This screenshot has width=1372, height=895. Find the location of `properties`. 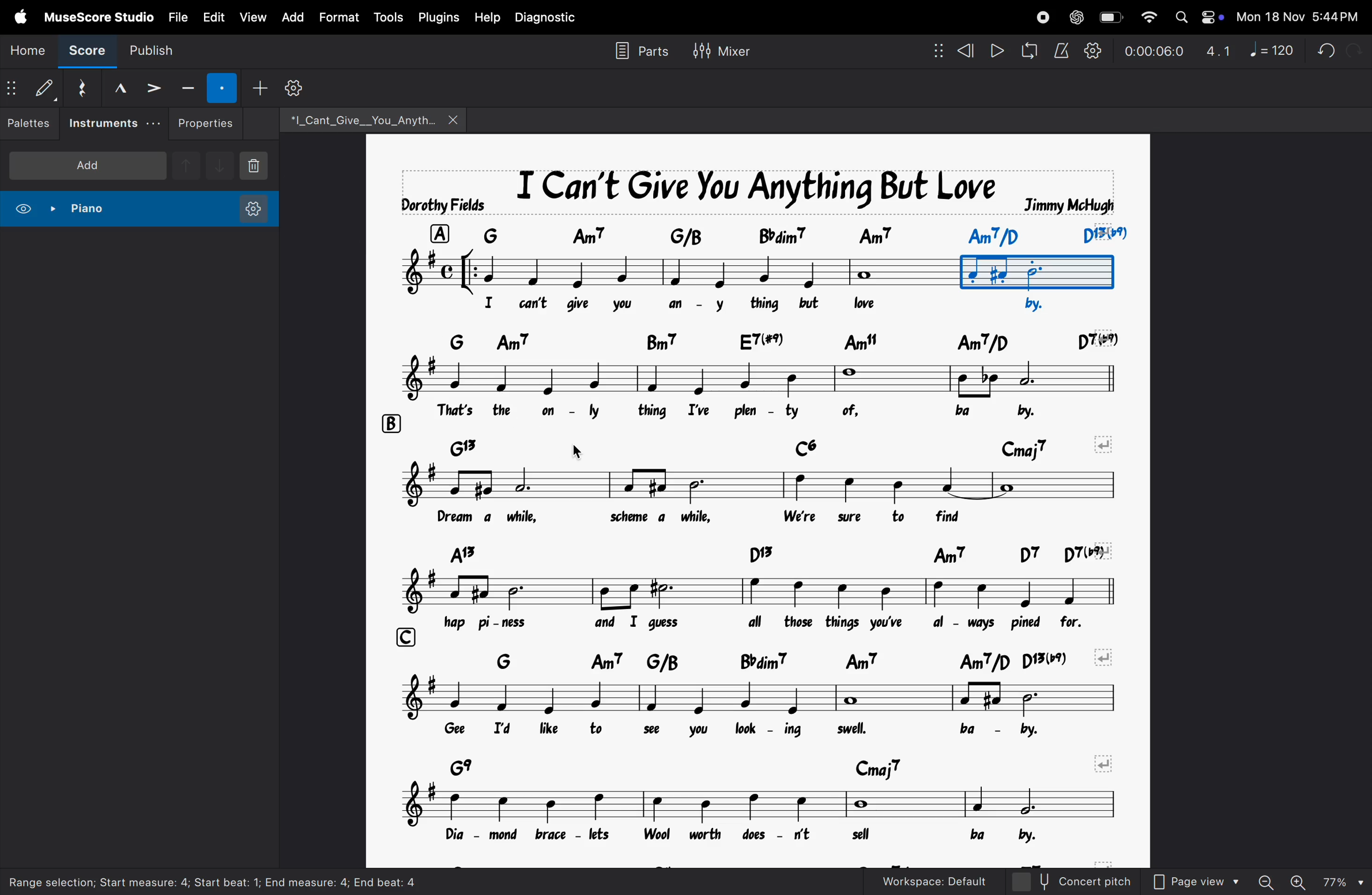

properties is located at coordinates (210, 123).